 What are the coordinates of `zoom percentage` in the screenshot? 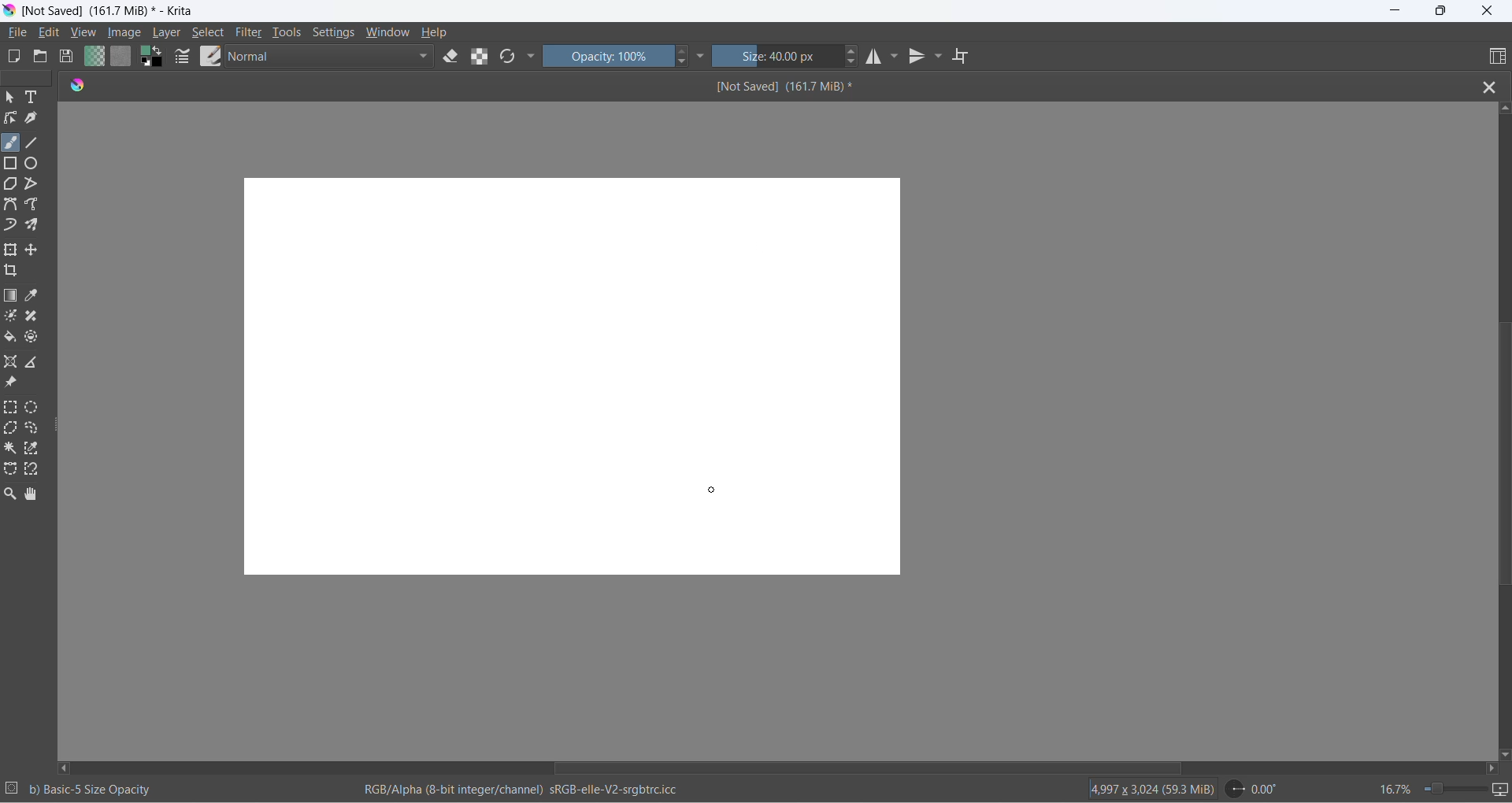 It's located at (1394, 787).